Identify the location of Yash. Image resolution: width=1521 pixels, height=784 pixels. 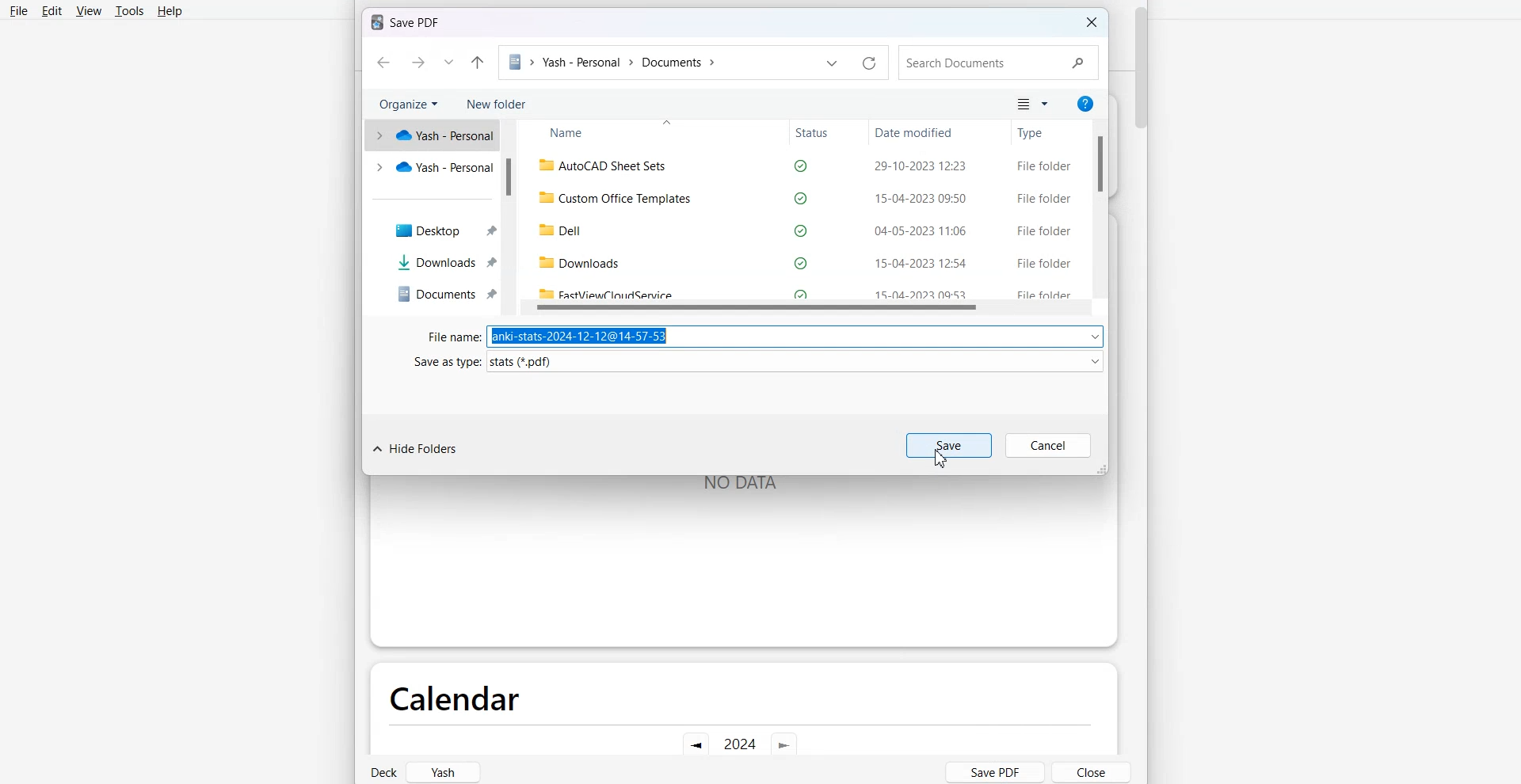
(445, 771).